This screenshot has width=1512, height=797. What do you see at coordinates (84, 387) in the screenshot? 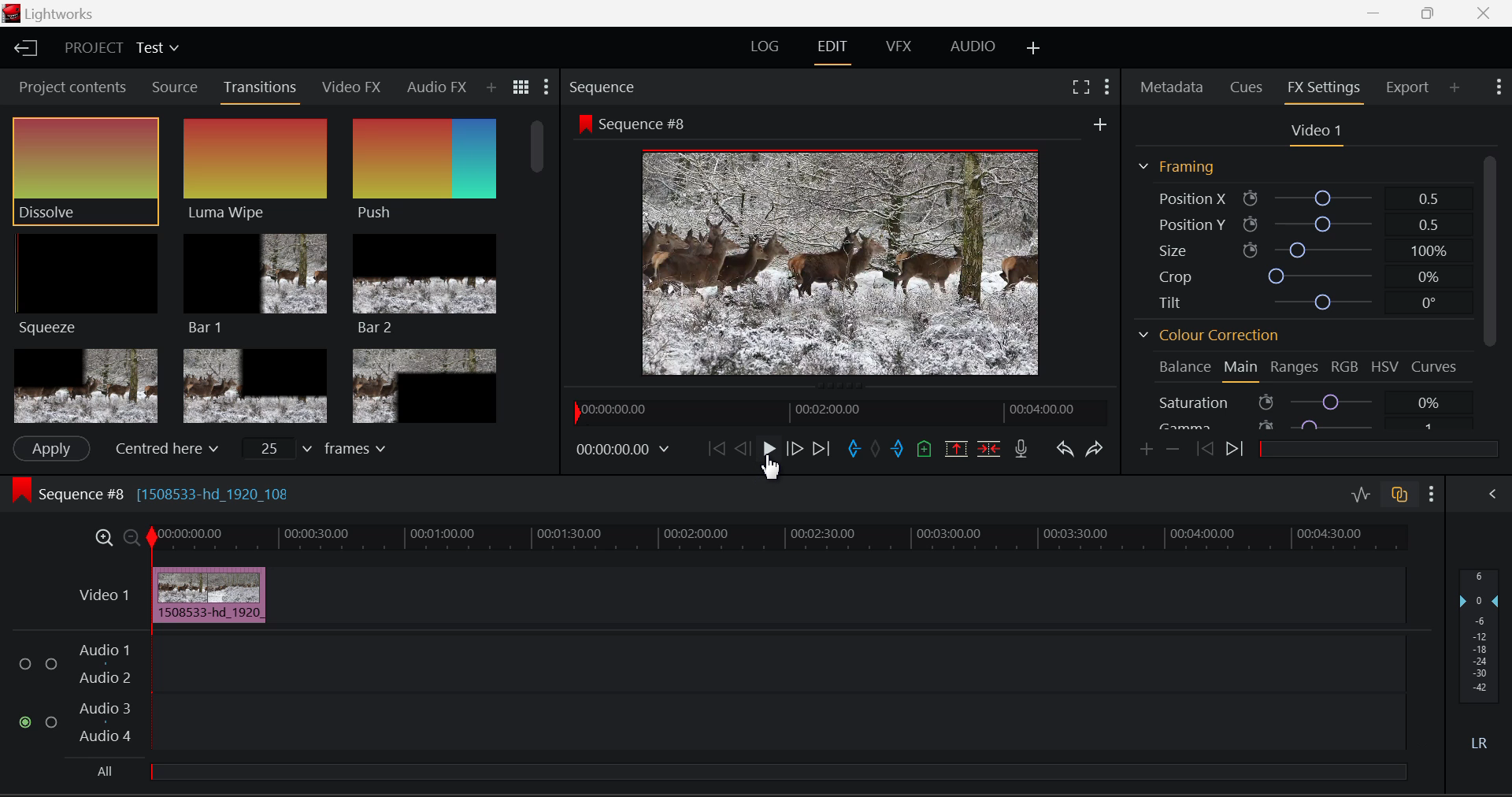
I see `Box 1` at bounding box center [84, 387].